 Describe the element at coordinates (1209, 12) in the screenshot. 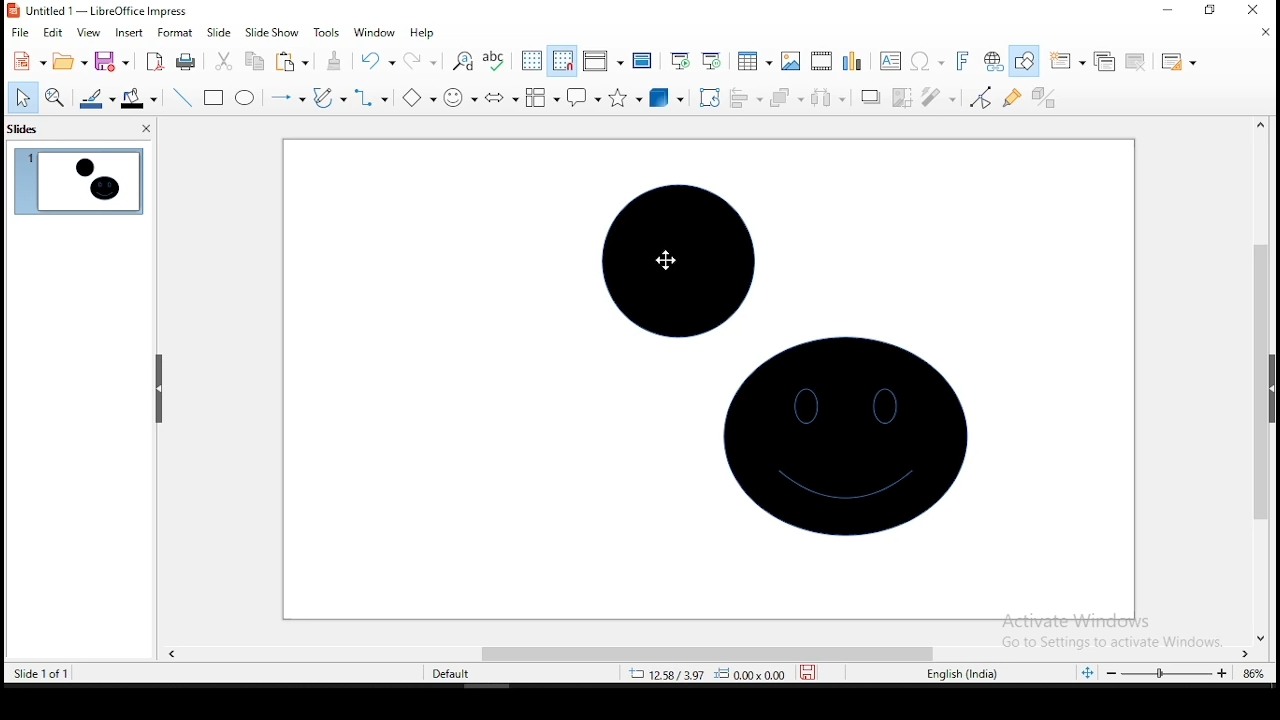

I see `restore` at that location.